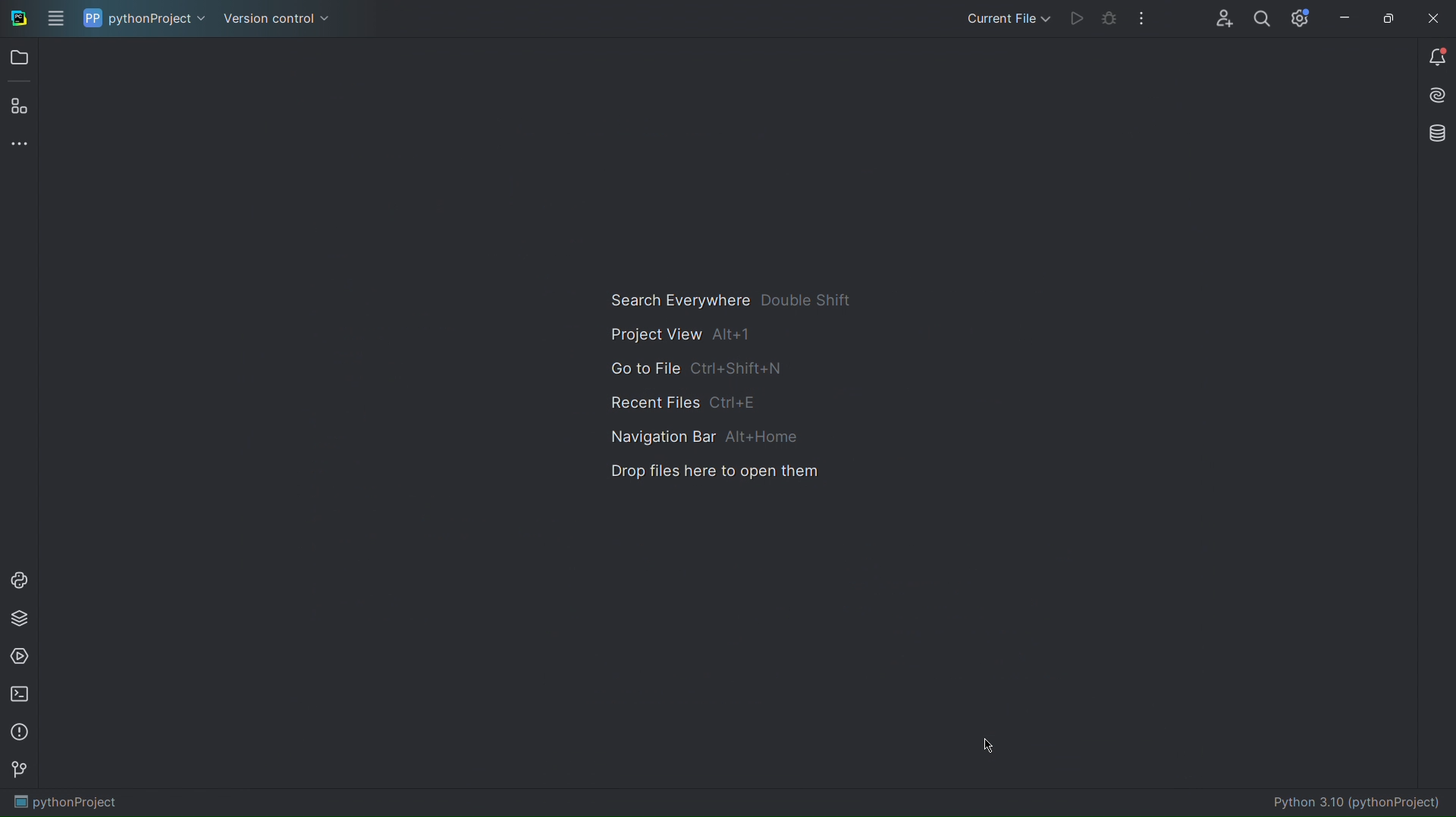 This screenshot has width=1456, height=817. Describe the element at coordinates (20, 617) in the screenshot. I see `Python Packages` at that location.